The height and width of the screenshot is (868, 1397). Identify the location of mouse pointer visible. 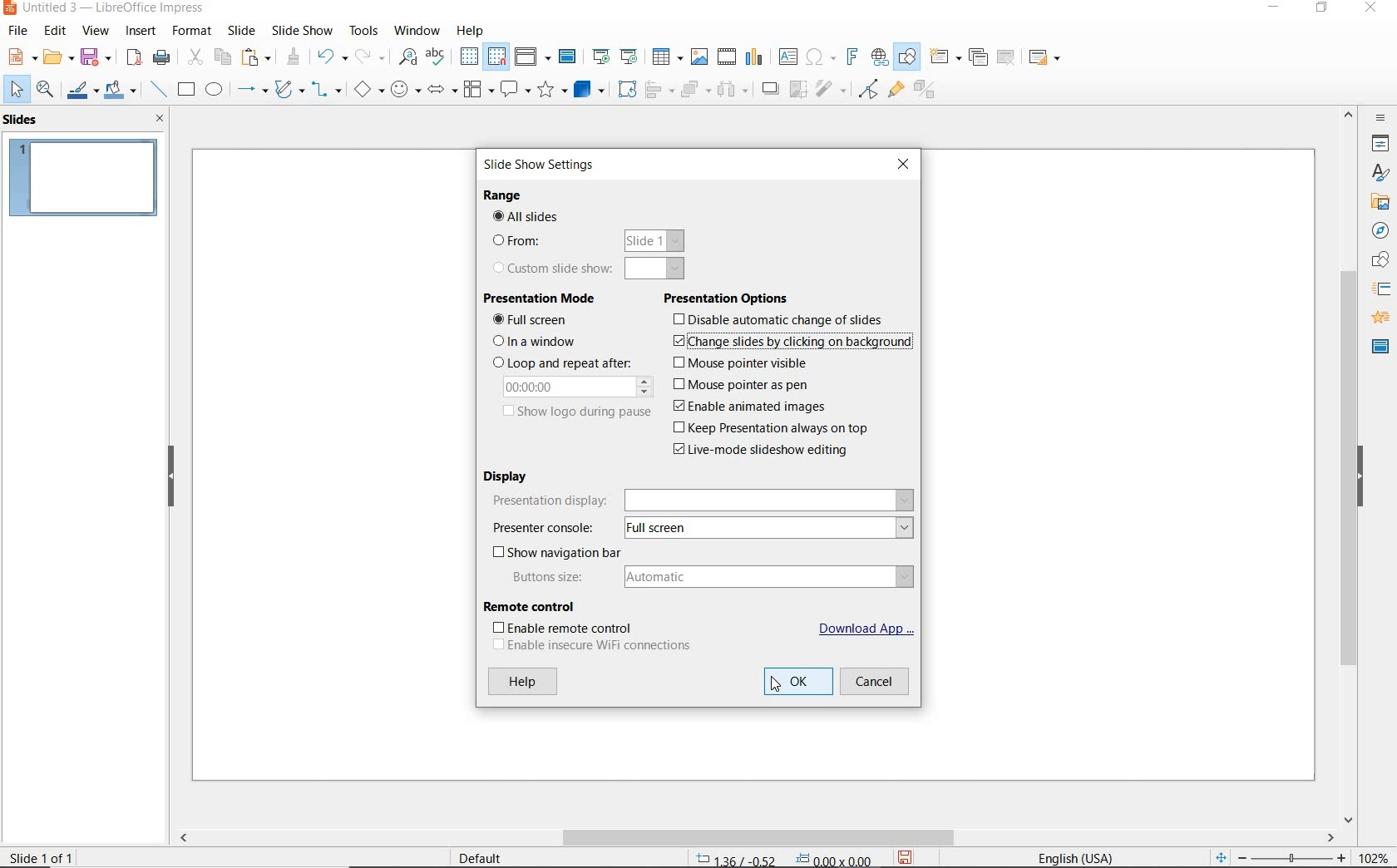
(742, 363).